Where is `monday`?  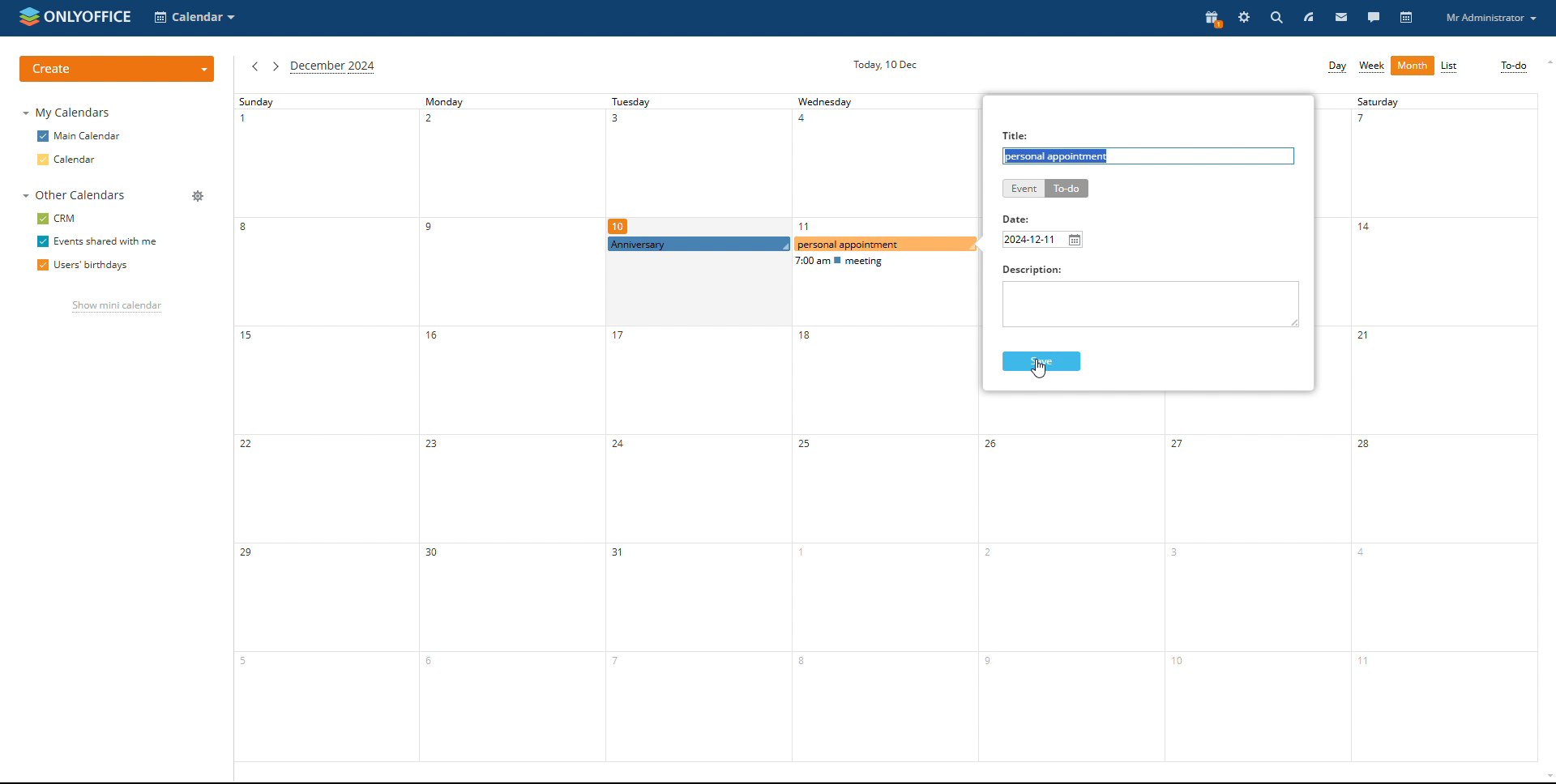
monday is located at coordinates (511, 428).